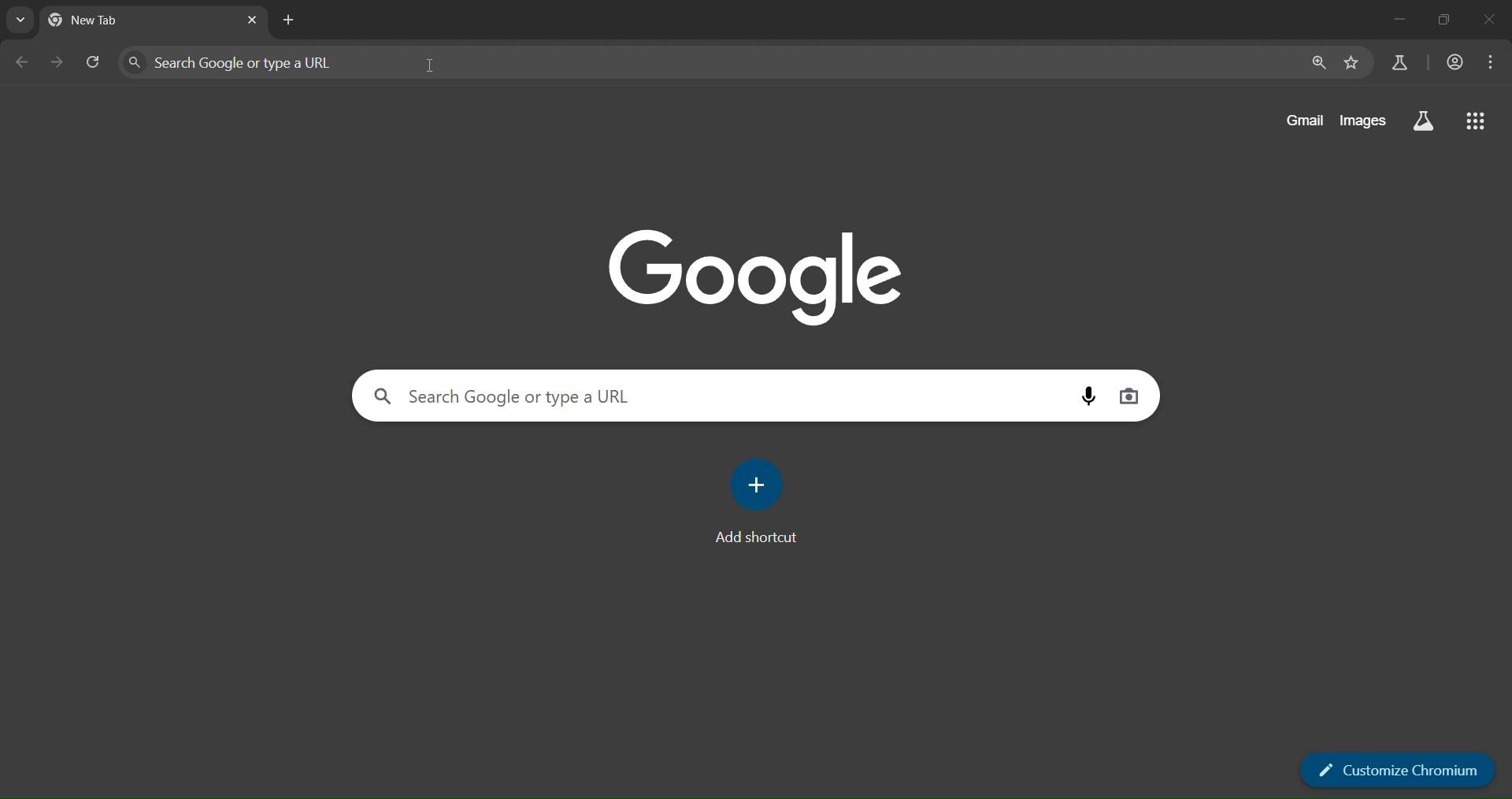 The width and height of the screenshot is (1512, 799). Describe the element at coordinates (757, 481) in the screenshot. I see `add` at that location.